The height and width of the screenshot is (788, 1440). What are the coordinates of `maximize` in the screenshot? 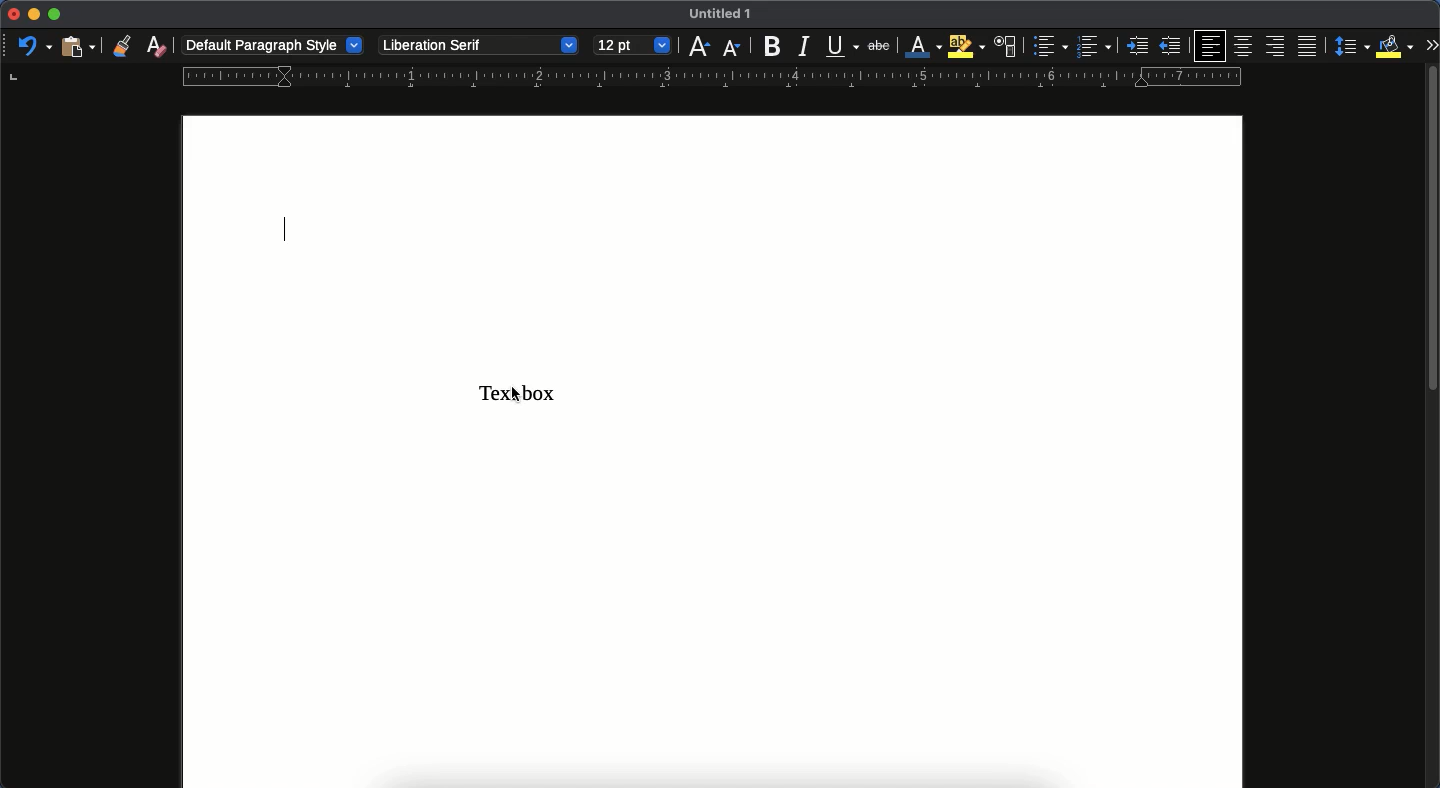 It's located at (56, 15).